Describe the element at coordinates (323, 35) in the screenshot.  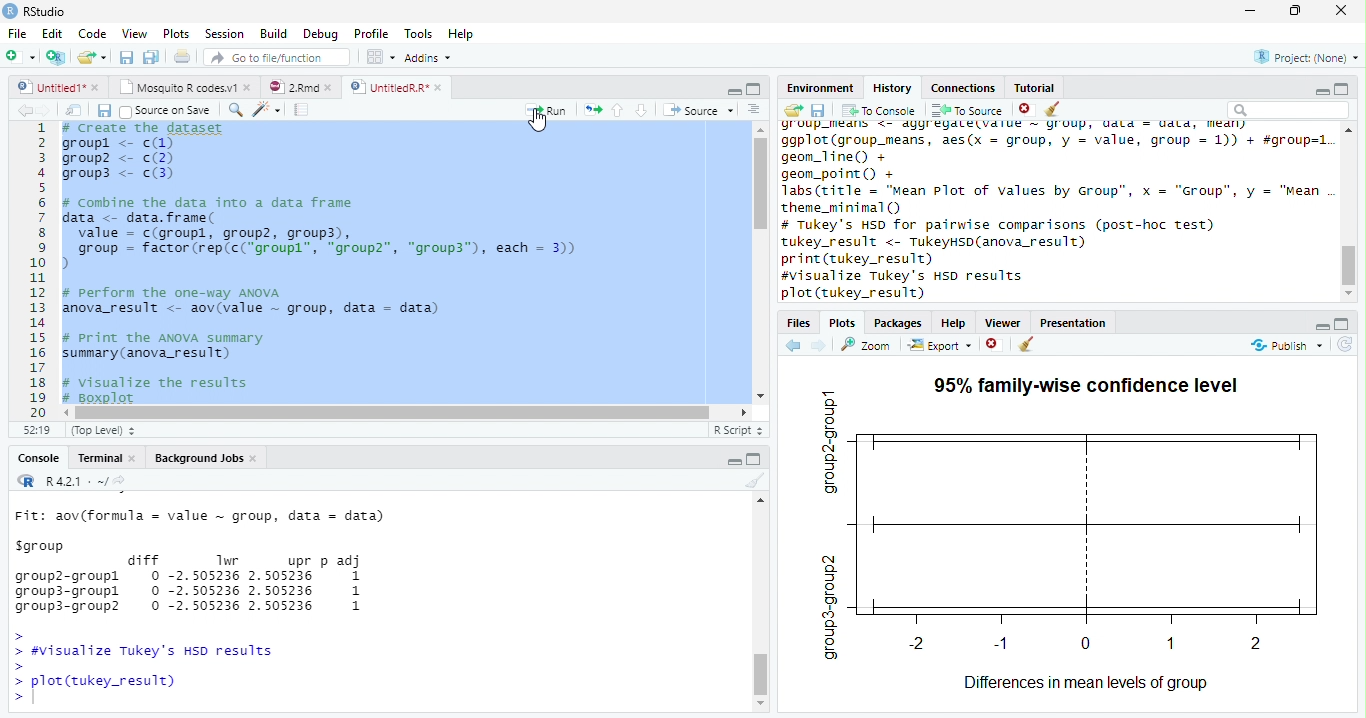
I see `debug` at that location.